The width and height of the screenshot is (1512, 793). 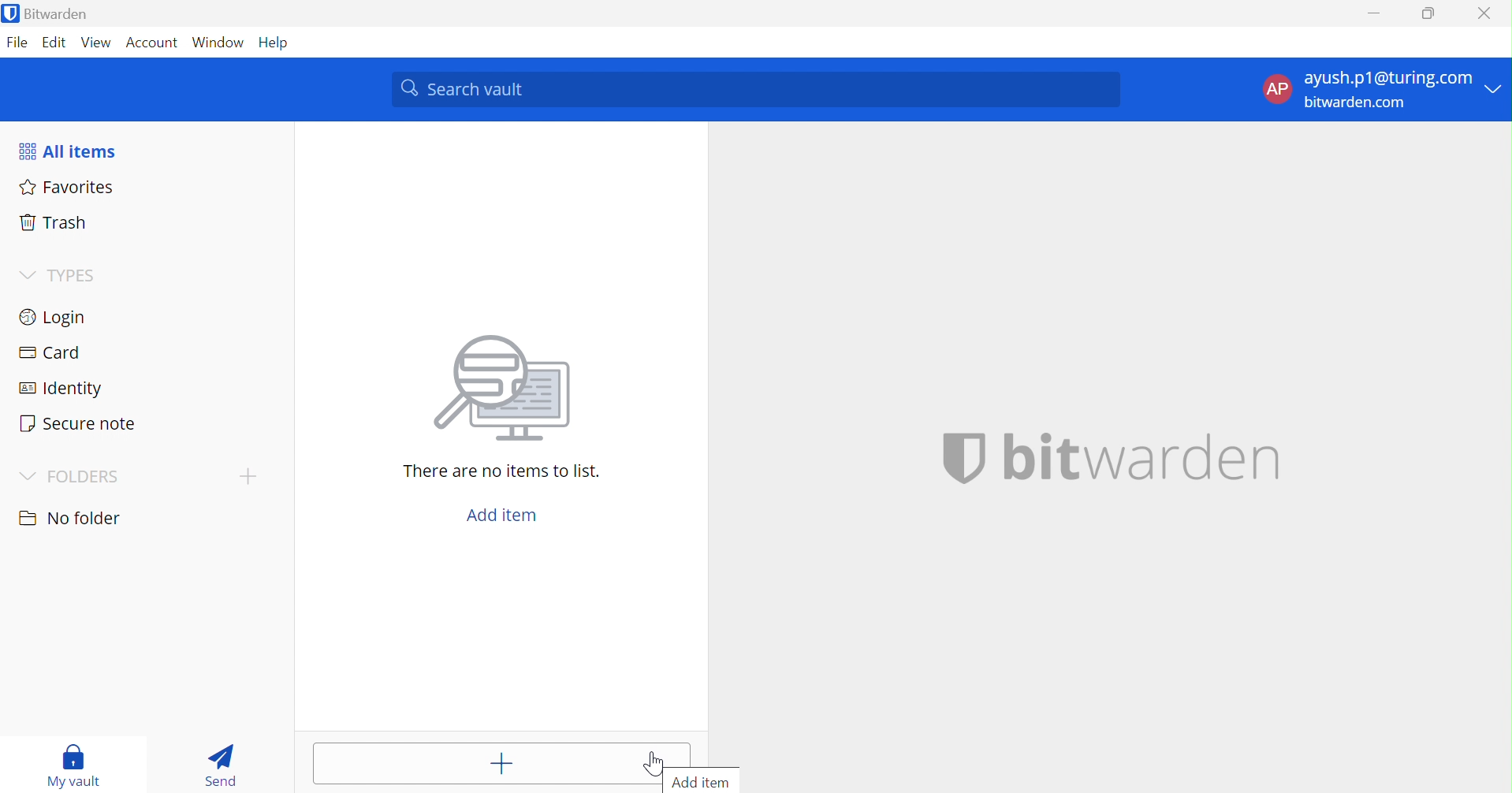 I want to click on Identity, so click(x=57, y=387).